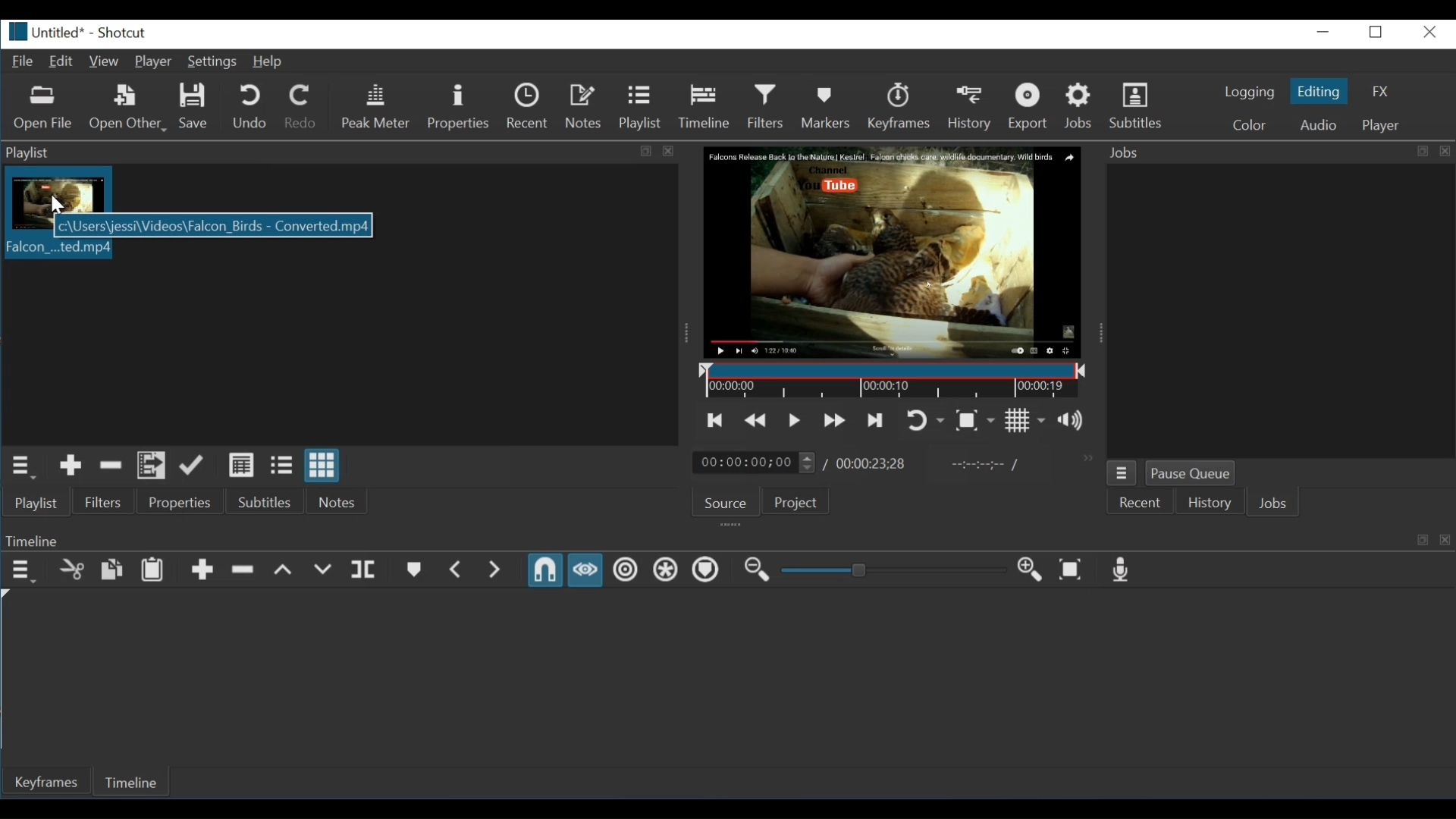 Image resolution: width=1456 pixels, height=819 pixels. I want to click on Subtitles, so click(1140, 104).